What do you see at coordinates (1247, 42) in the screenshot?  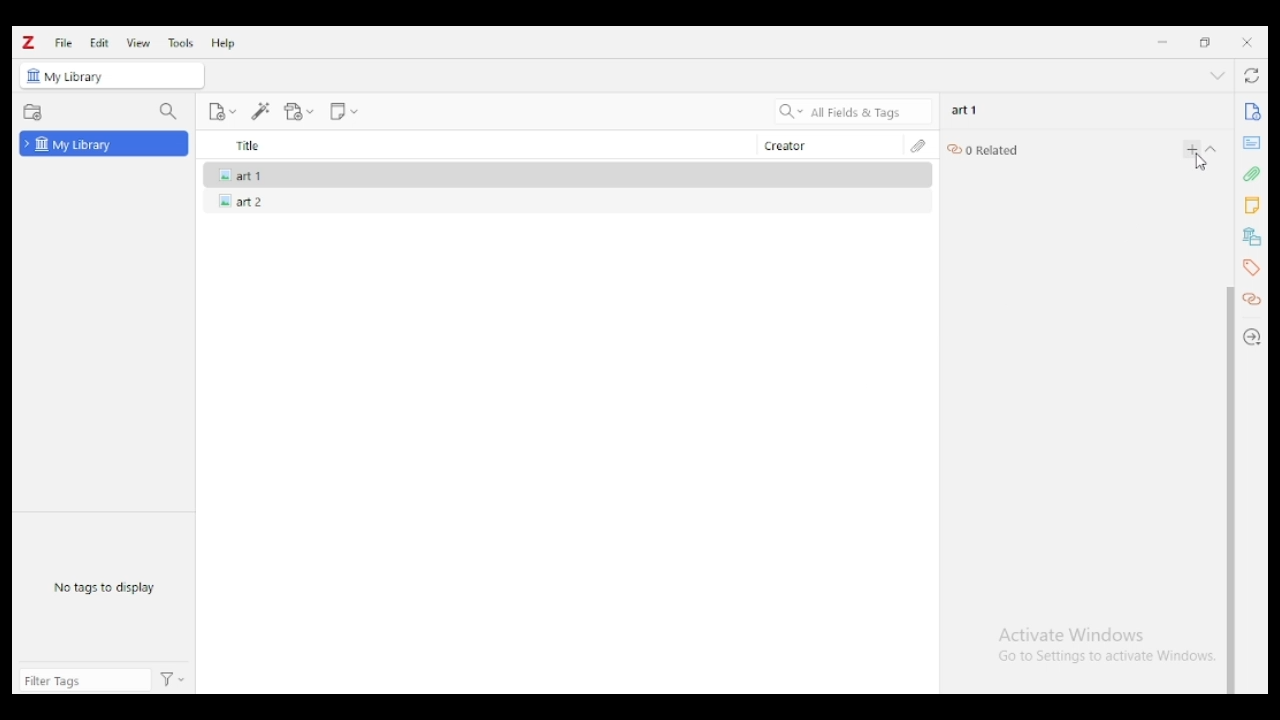 I see `close` at bounding box center [1247, 42].